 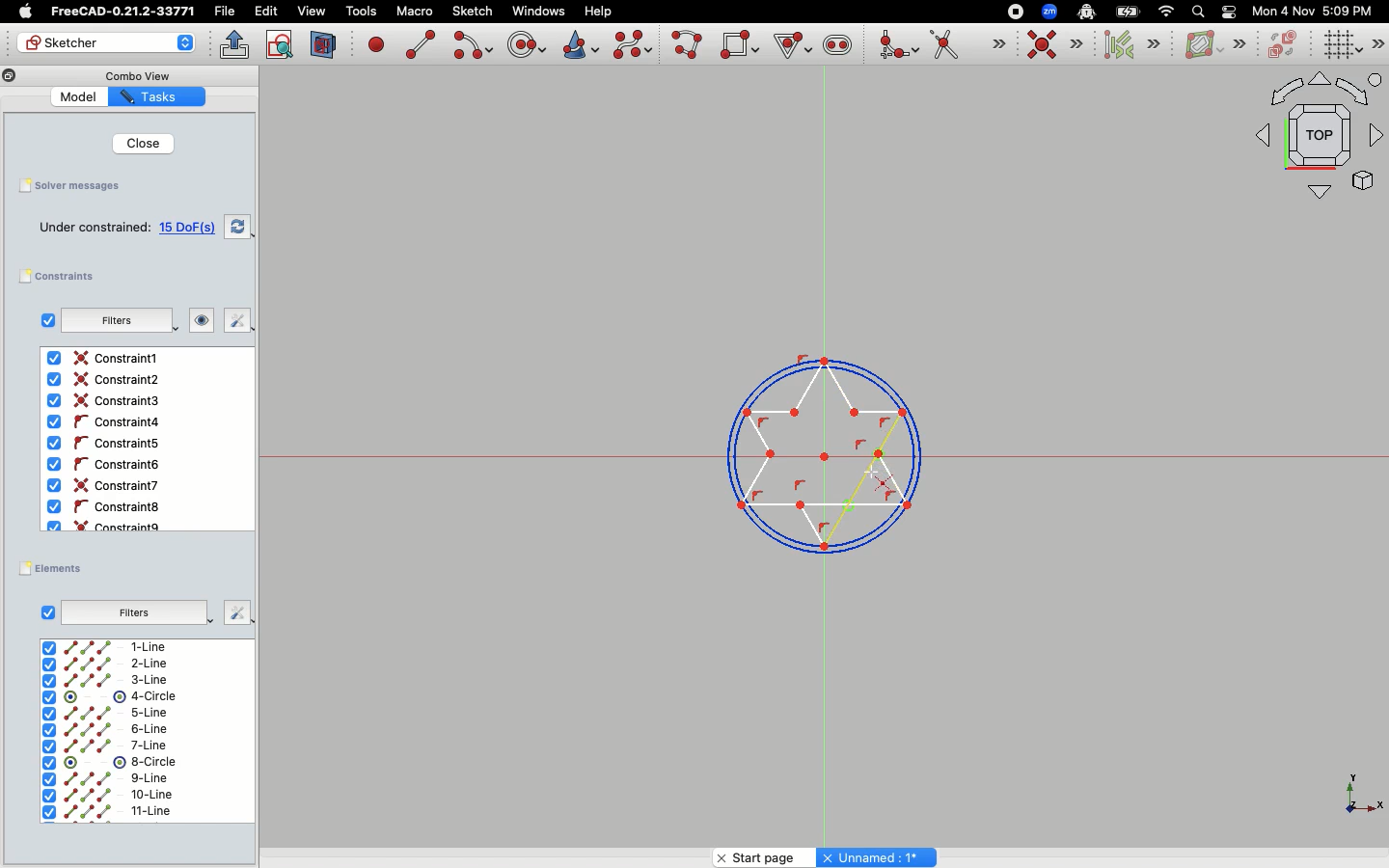 I want to click on 10-line, so click(x=107, y=795).